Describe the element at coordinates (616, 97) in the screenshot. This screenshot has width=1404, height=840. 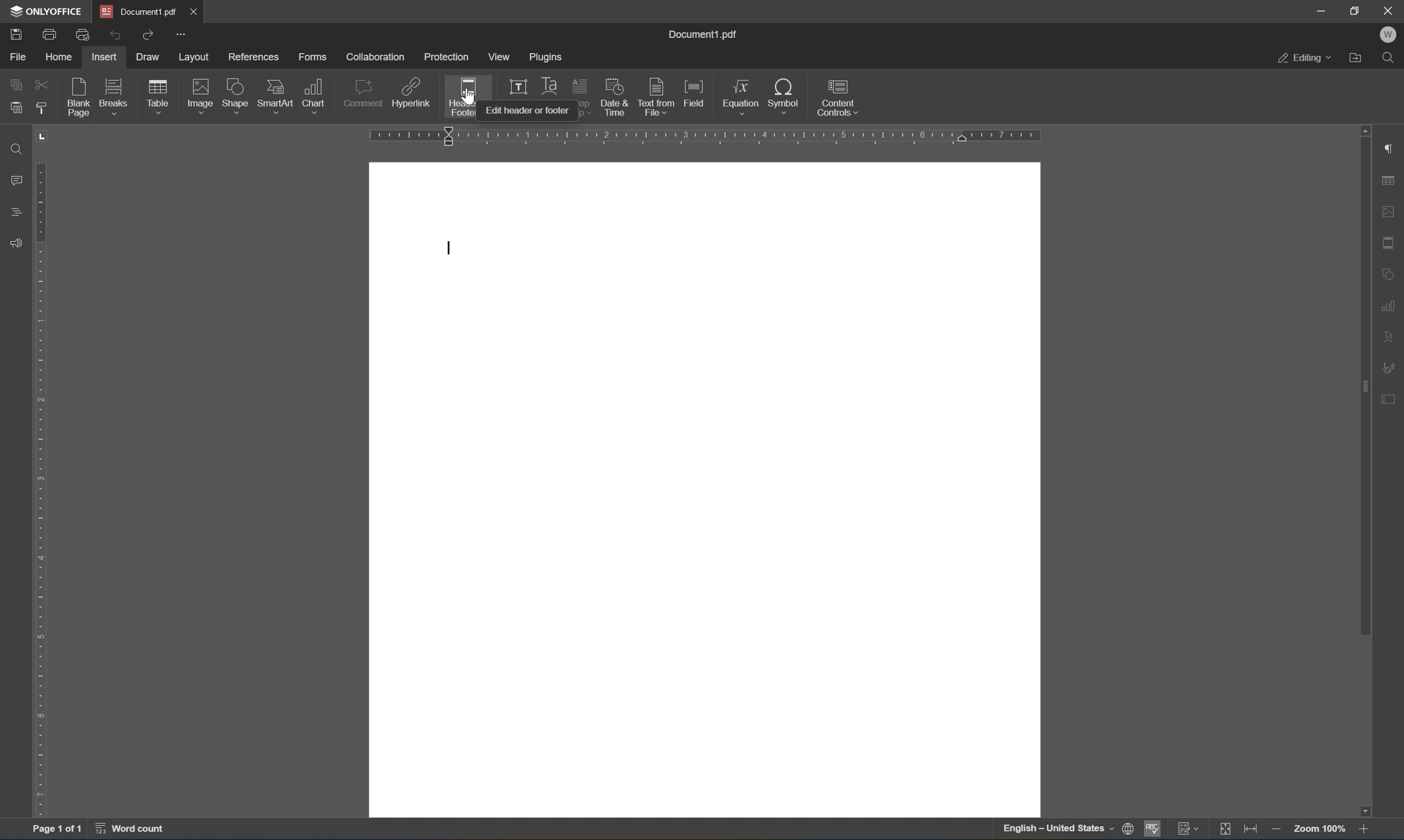
I see `date and time` at that location.